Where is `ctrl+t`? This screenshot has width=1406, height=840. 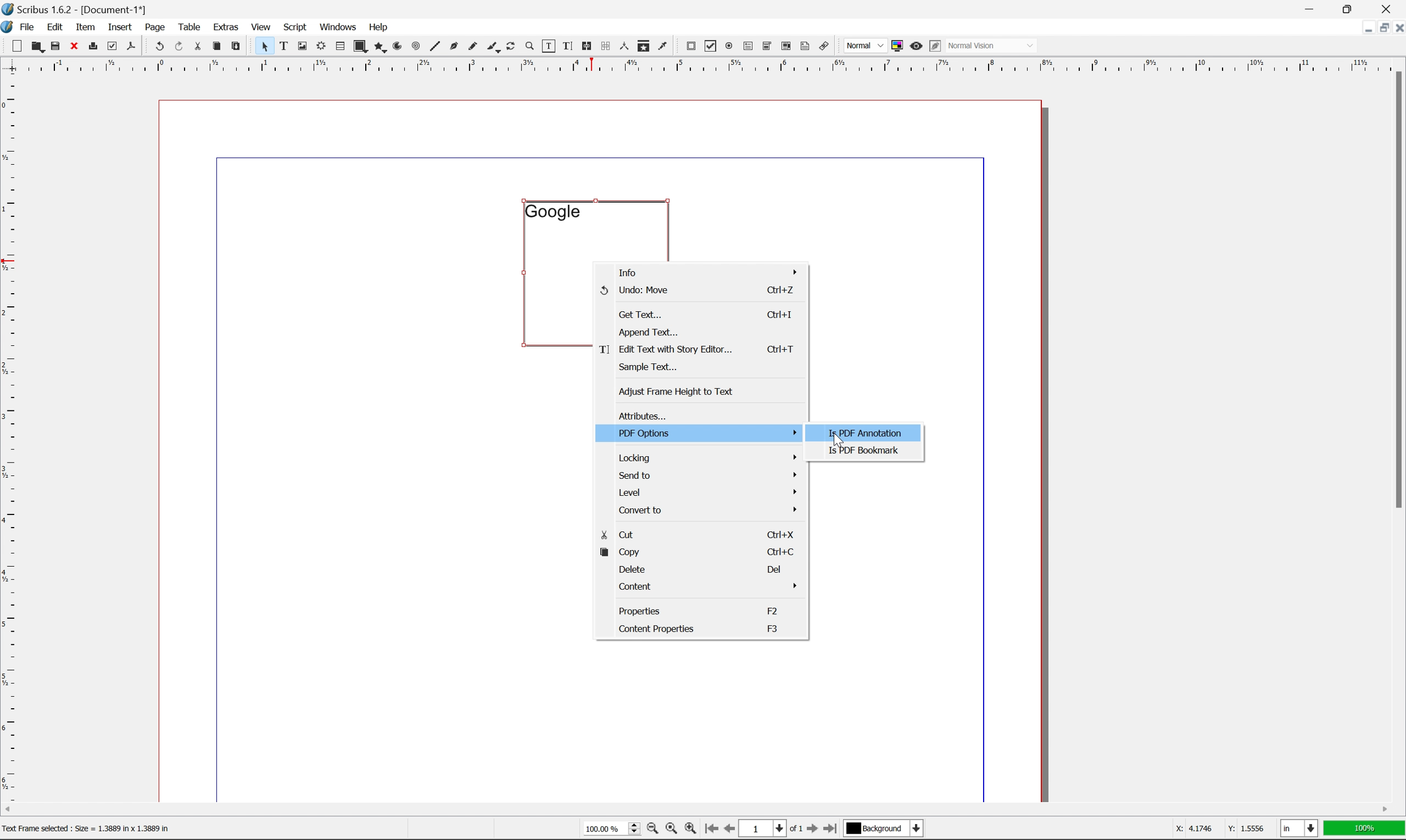 ctrl+t is located at coordinates (781, 349).